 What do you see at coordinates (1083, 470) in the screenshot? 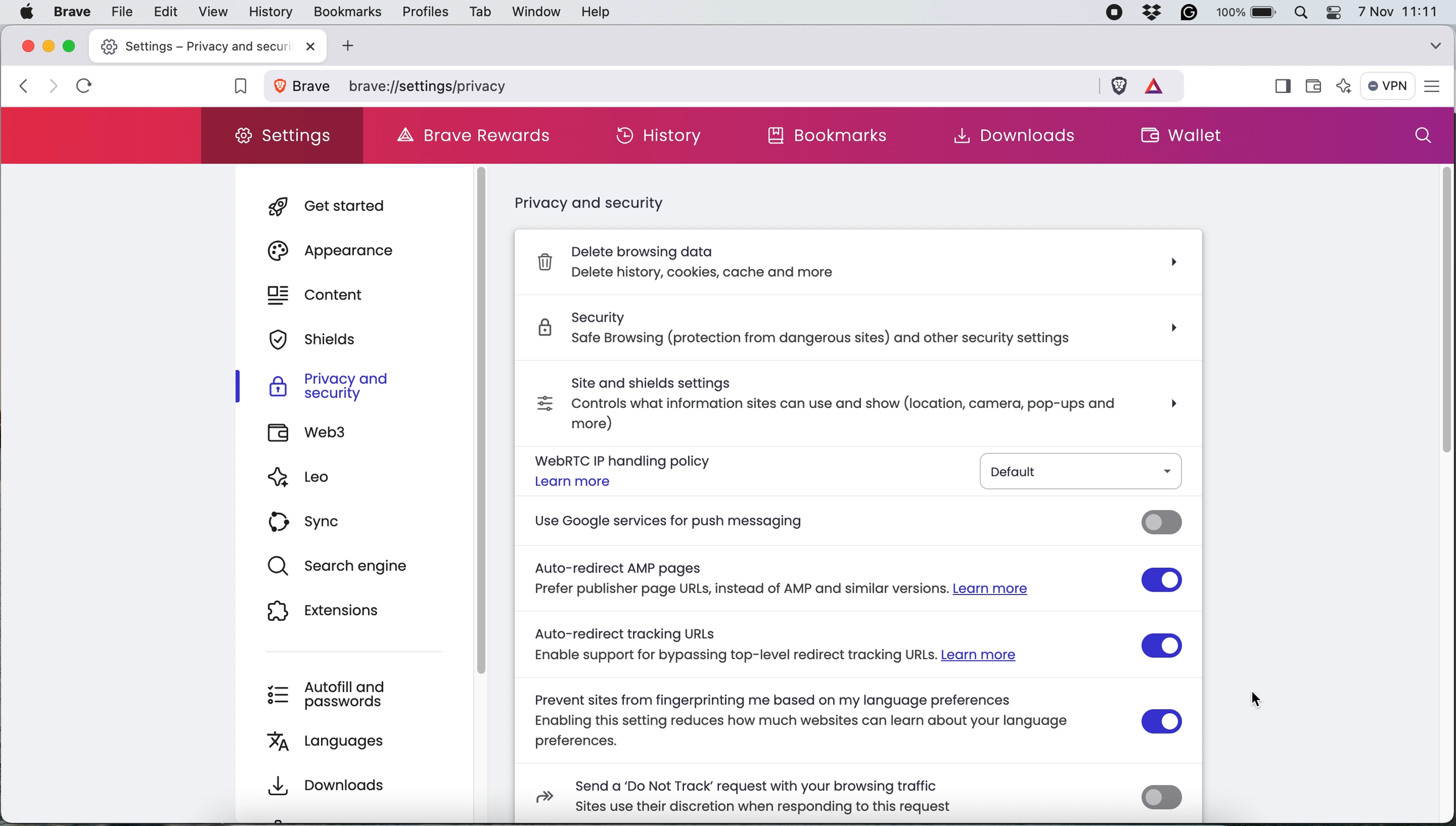
I see `default` at bounding box center [1083, 470].